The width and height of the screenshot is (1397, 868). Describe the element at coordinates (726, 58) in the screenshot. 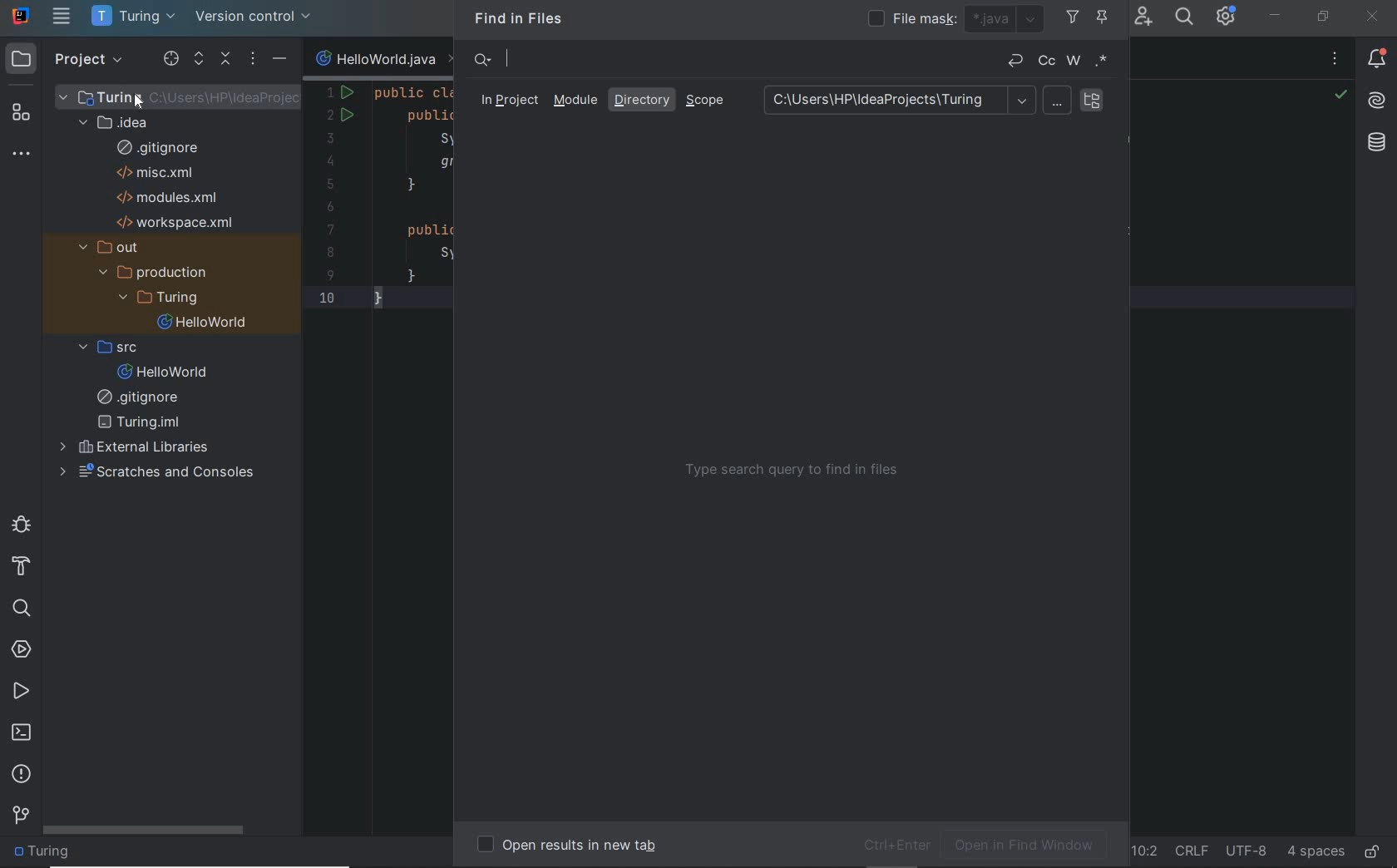

I see `Text to search` at that location.